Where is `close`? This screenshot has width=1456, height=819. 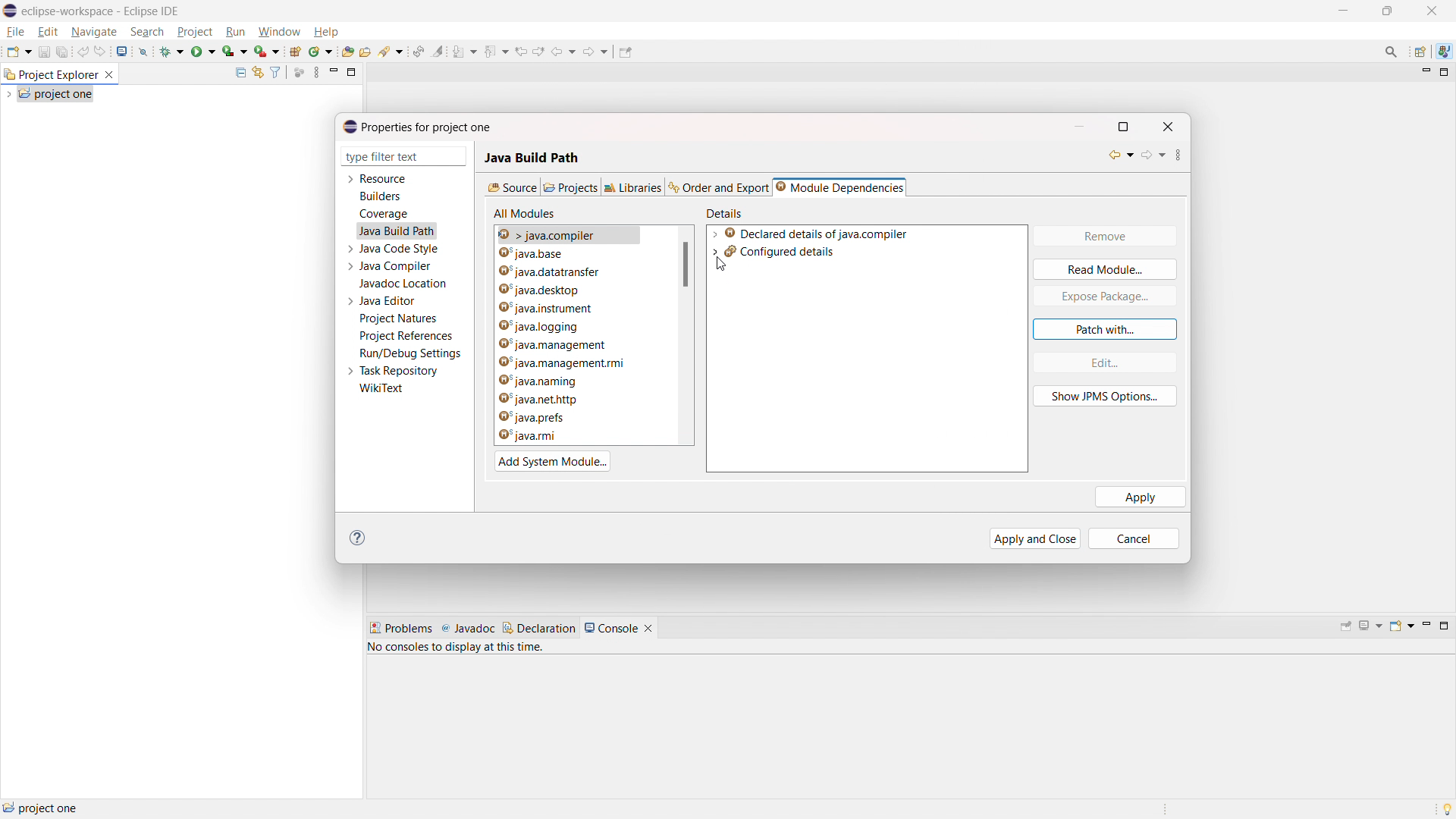 close is located at coordinates (1169, 125).